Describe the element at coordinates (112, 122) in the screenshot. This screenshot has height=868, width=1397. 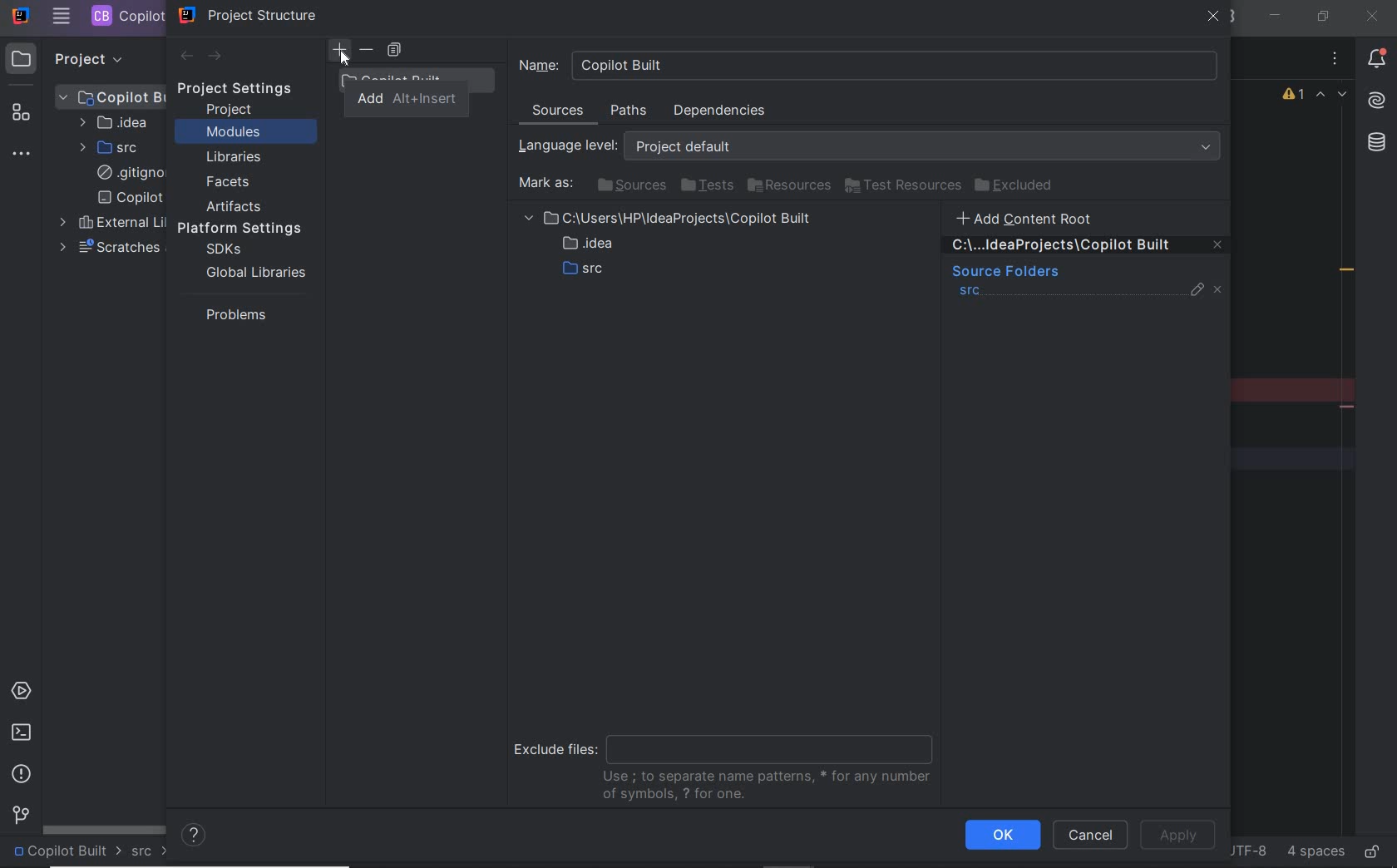
I see `IDEA` at that location.